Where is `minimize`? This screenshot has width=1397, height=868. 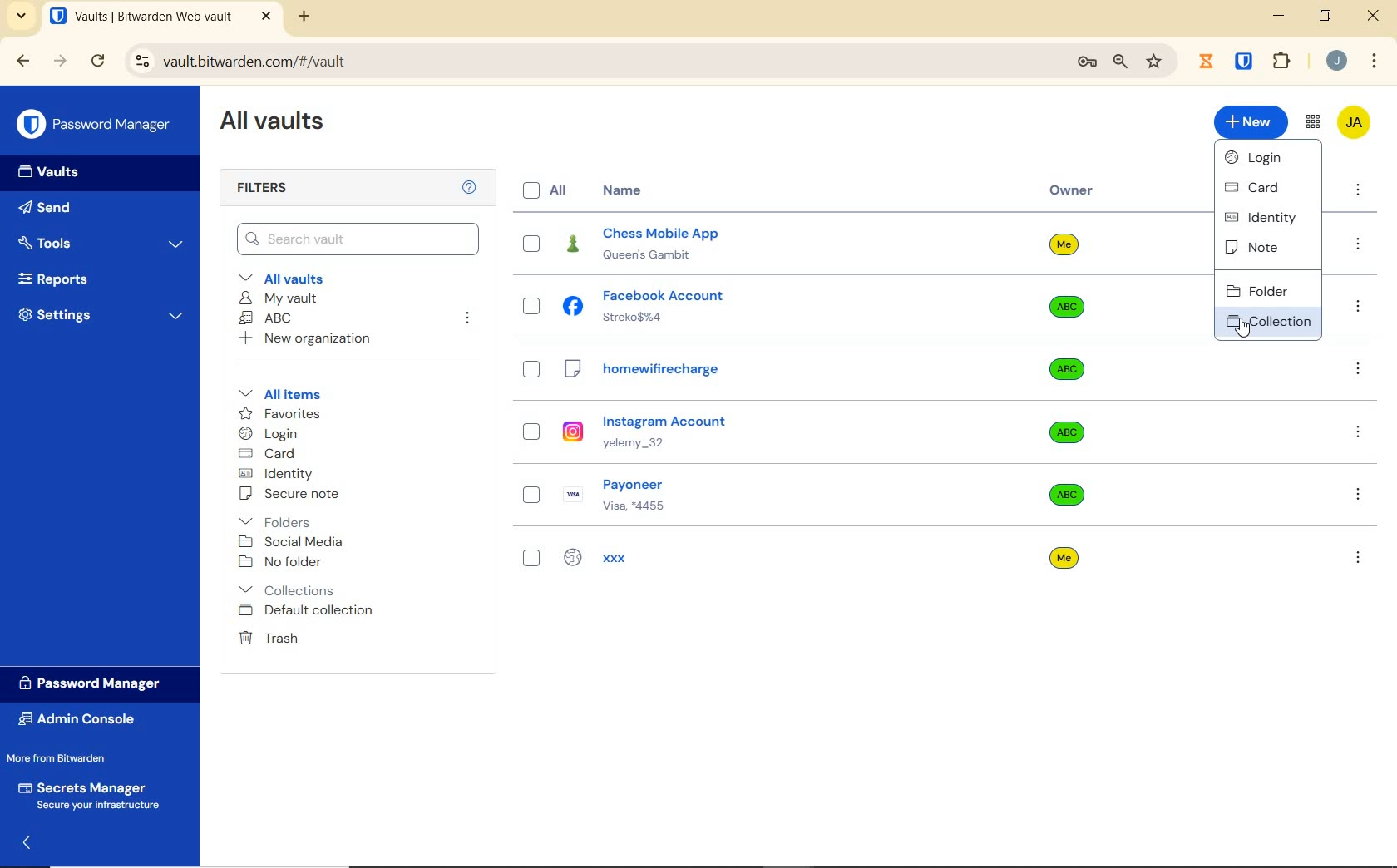 minimize is located at coordinates (1281, 16).